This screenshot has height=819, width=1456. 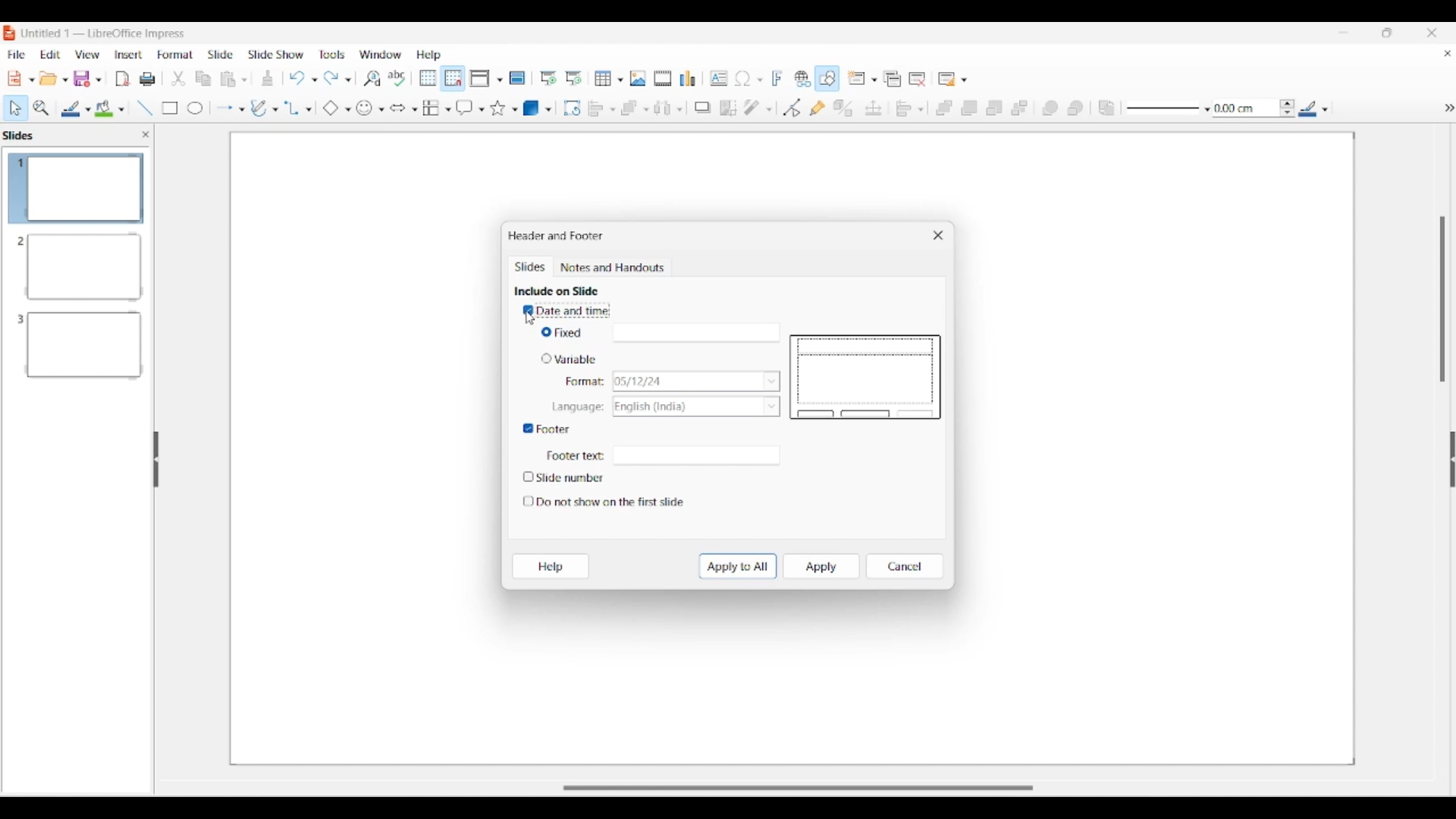 I want to click on Snap to grid highlighted, so click(x=453, y=79).